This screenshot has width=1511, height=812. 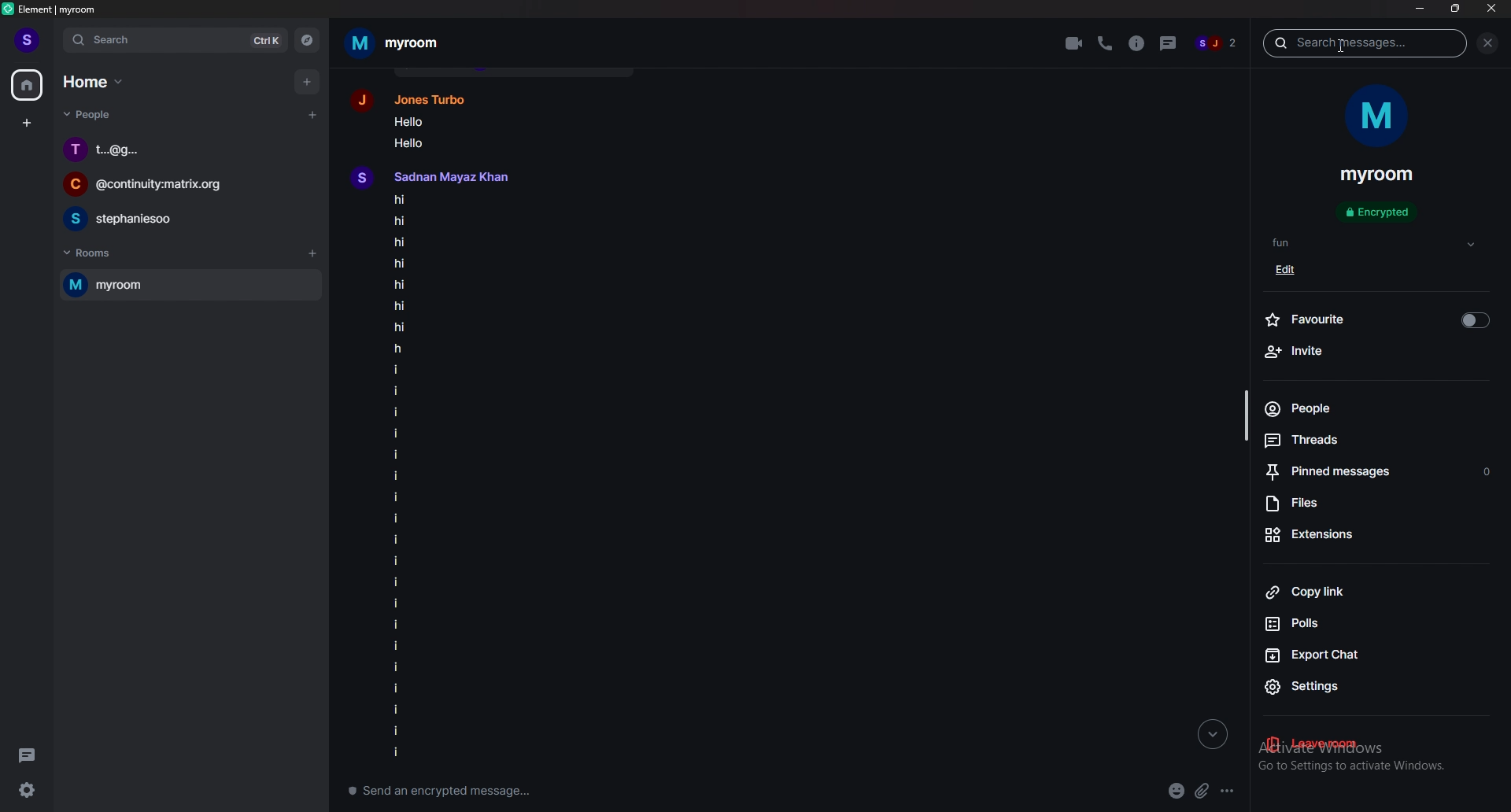 What do you see at coordinates (27, 124) in the screenshot?
I see `create space` at bounding box center [27, 124].